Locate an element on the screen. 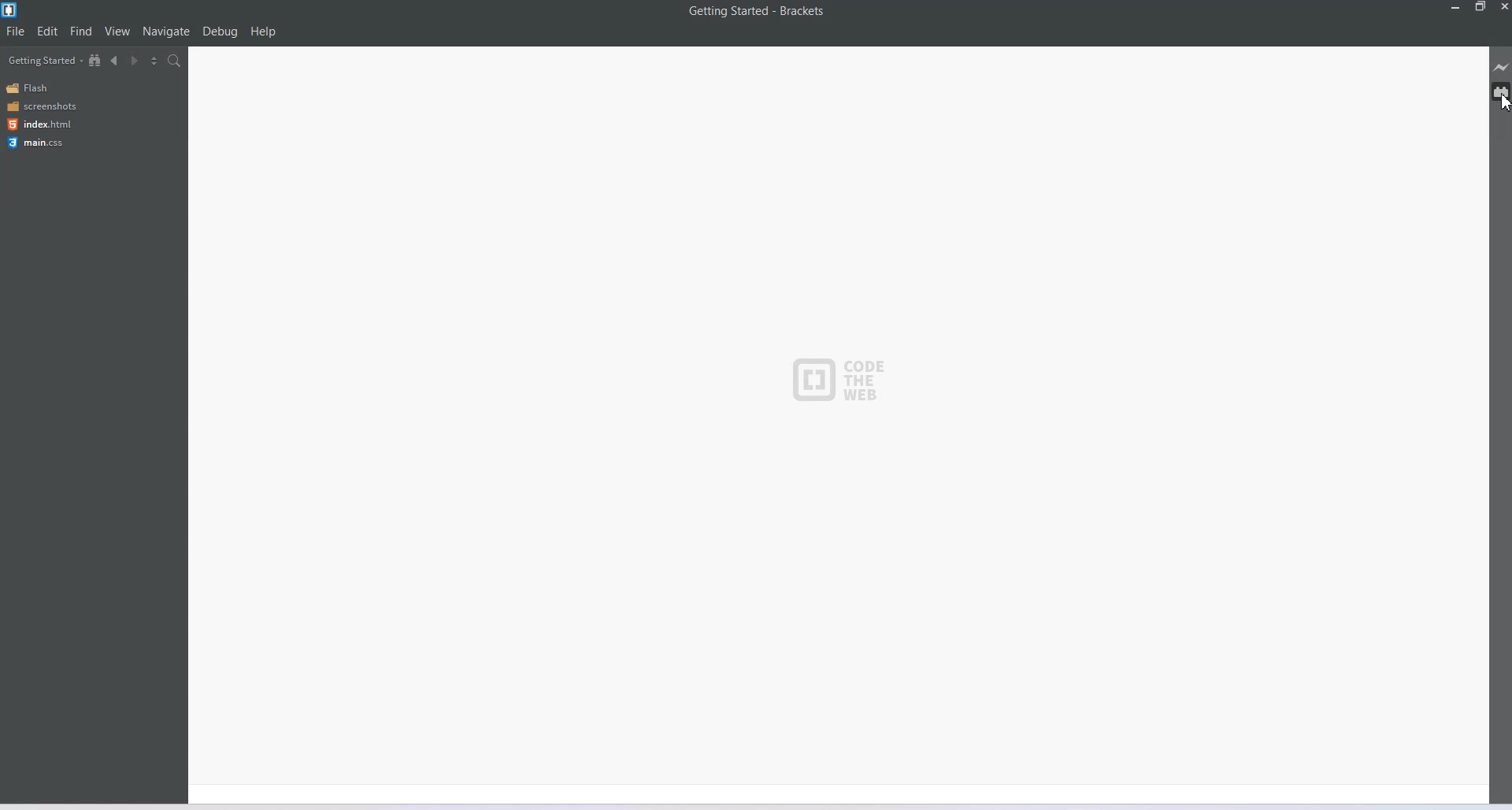  Navigation is located at coordinates (167, 31).